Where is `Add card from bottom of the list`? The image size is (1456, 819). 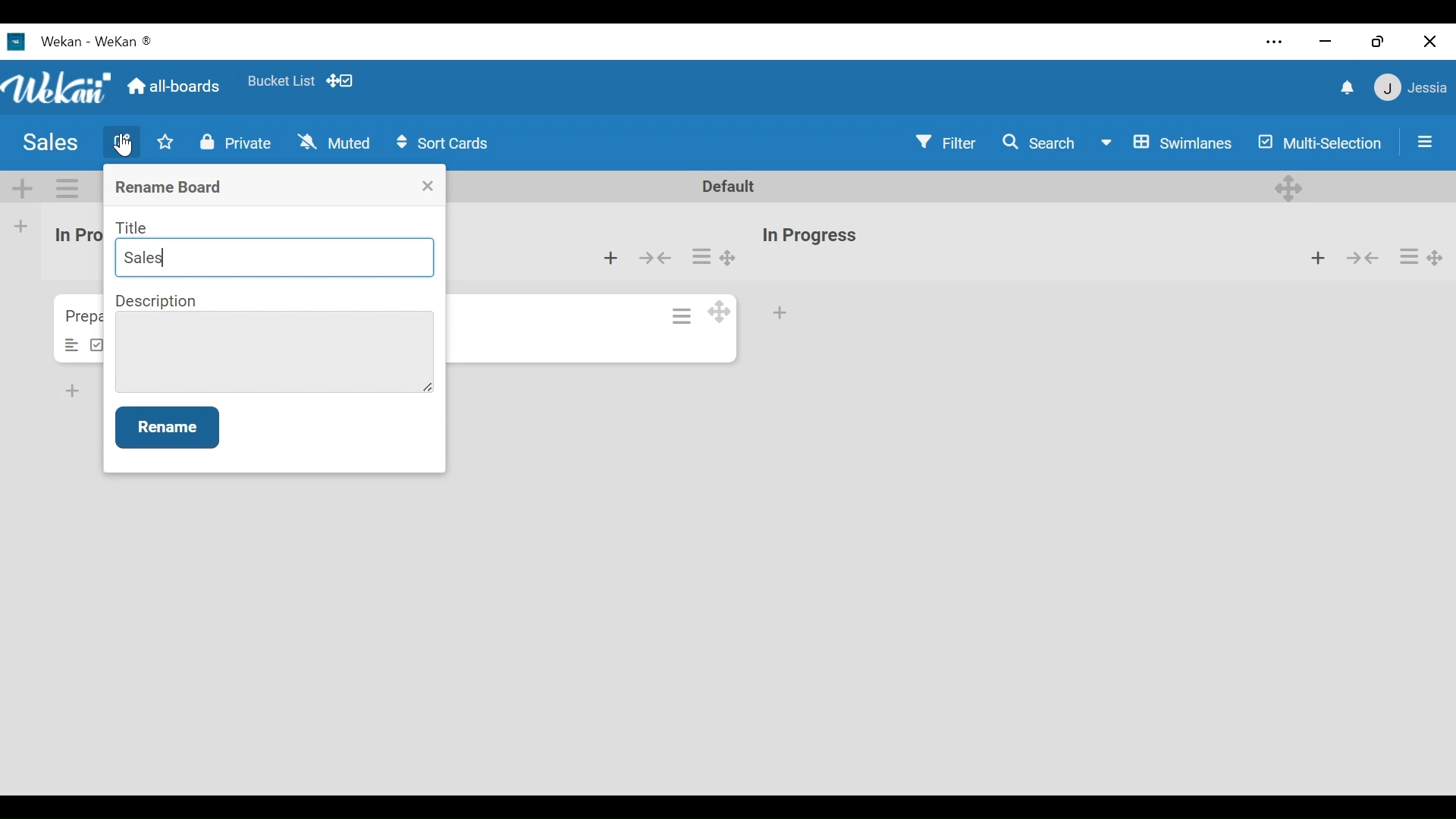
Add card from bottom of the list is located at coordinates (610, 259).